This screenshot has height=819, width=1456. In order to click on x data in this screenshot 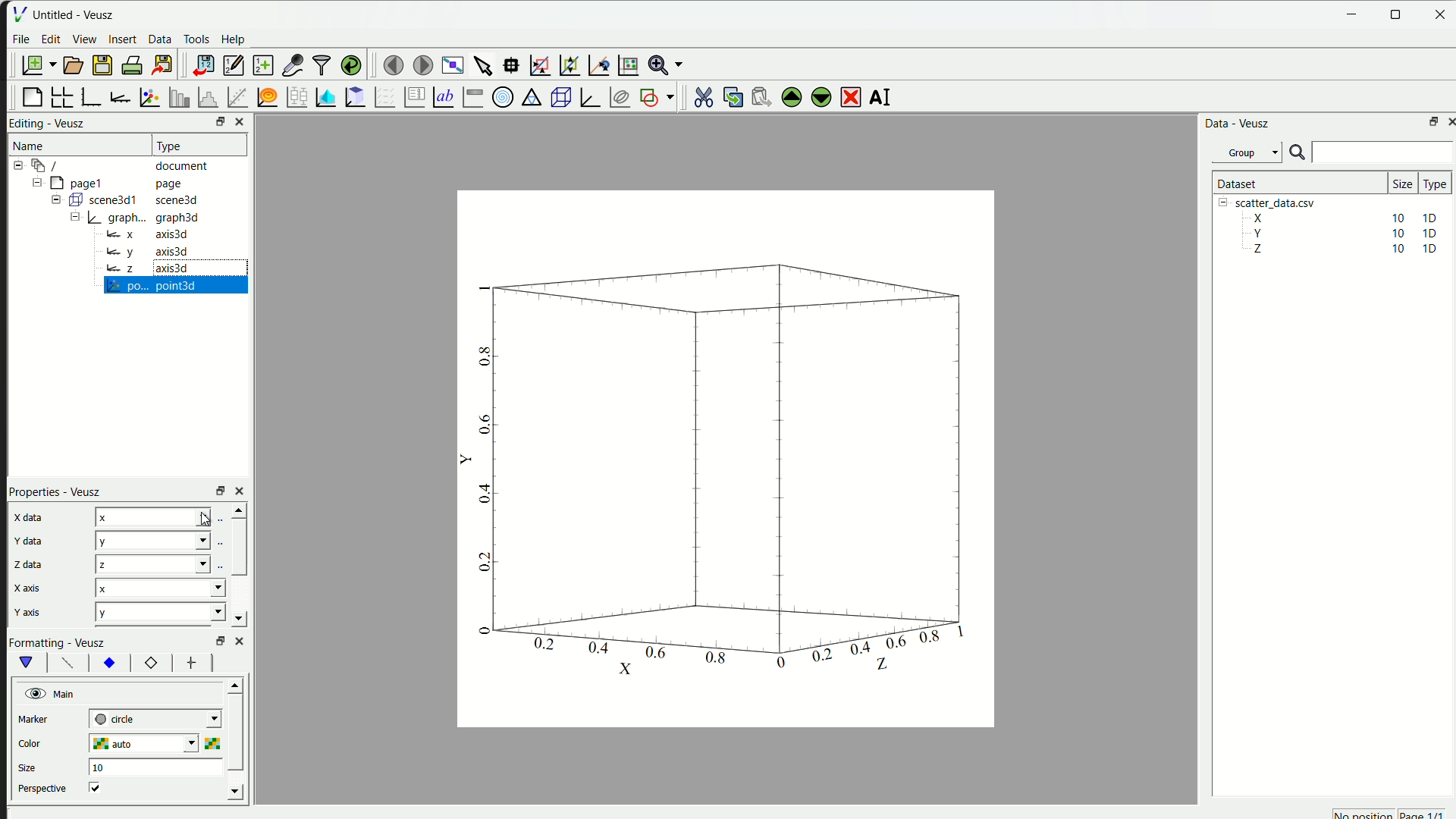, I will do `click(29, 517)`.